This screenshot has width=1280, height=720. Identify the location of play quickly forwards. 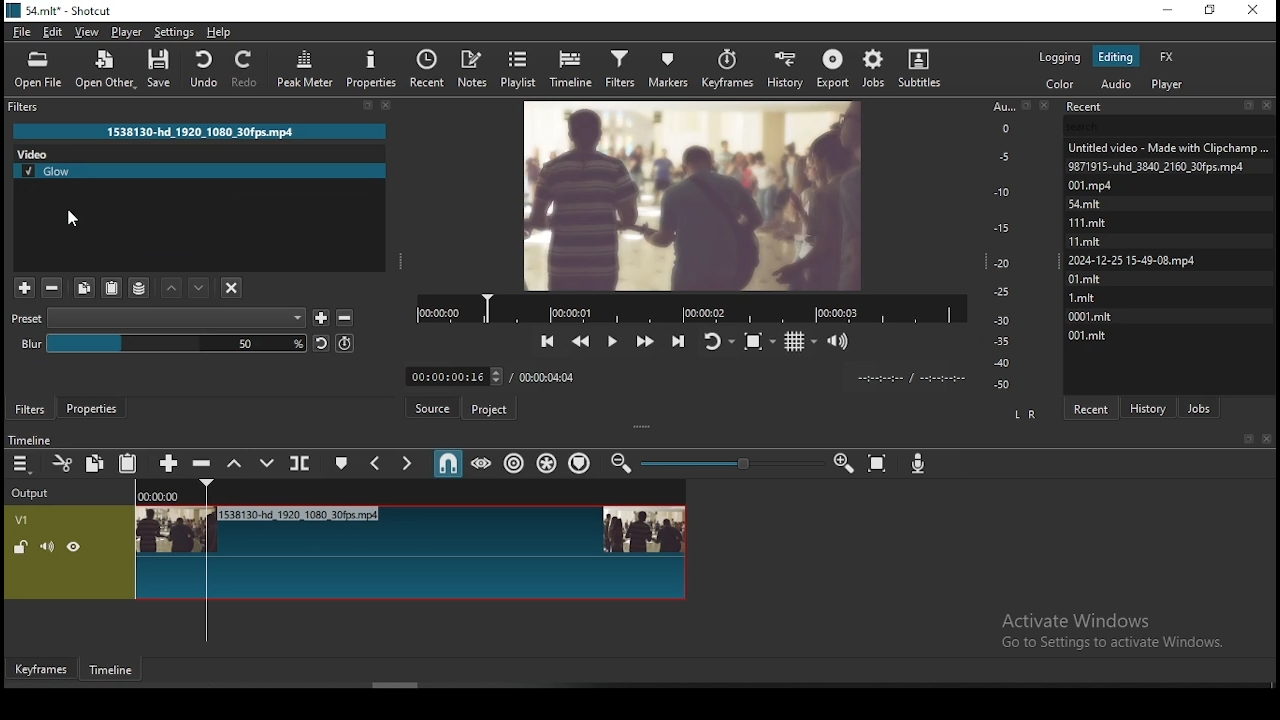
(644, 340).